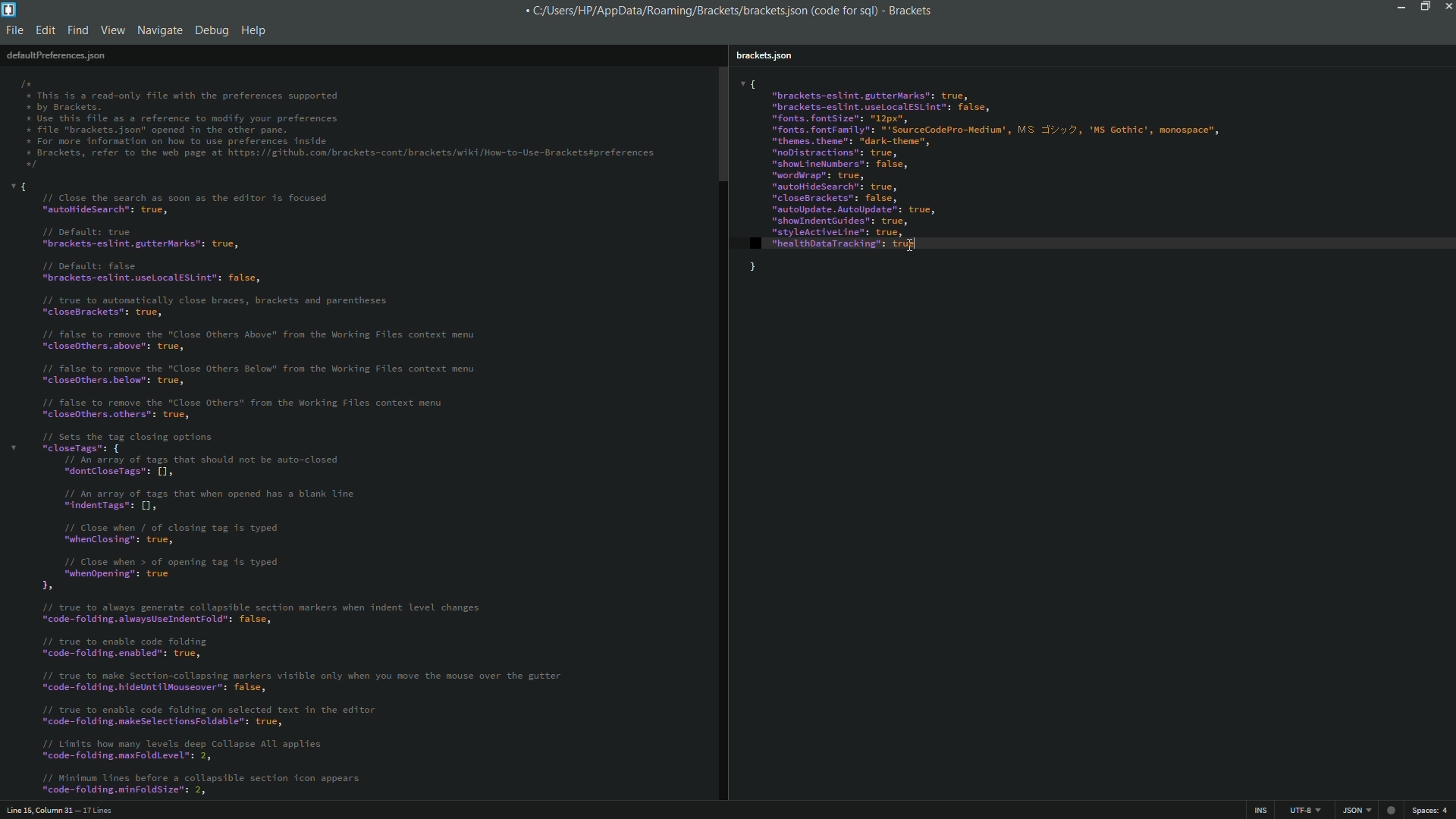  I want to click on Minimize, so click(1398, 6).